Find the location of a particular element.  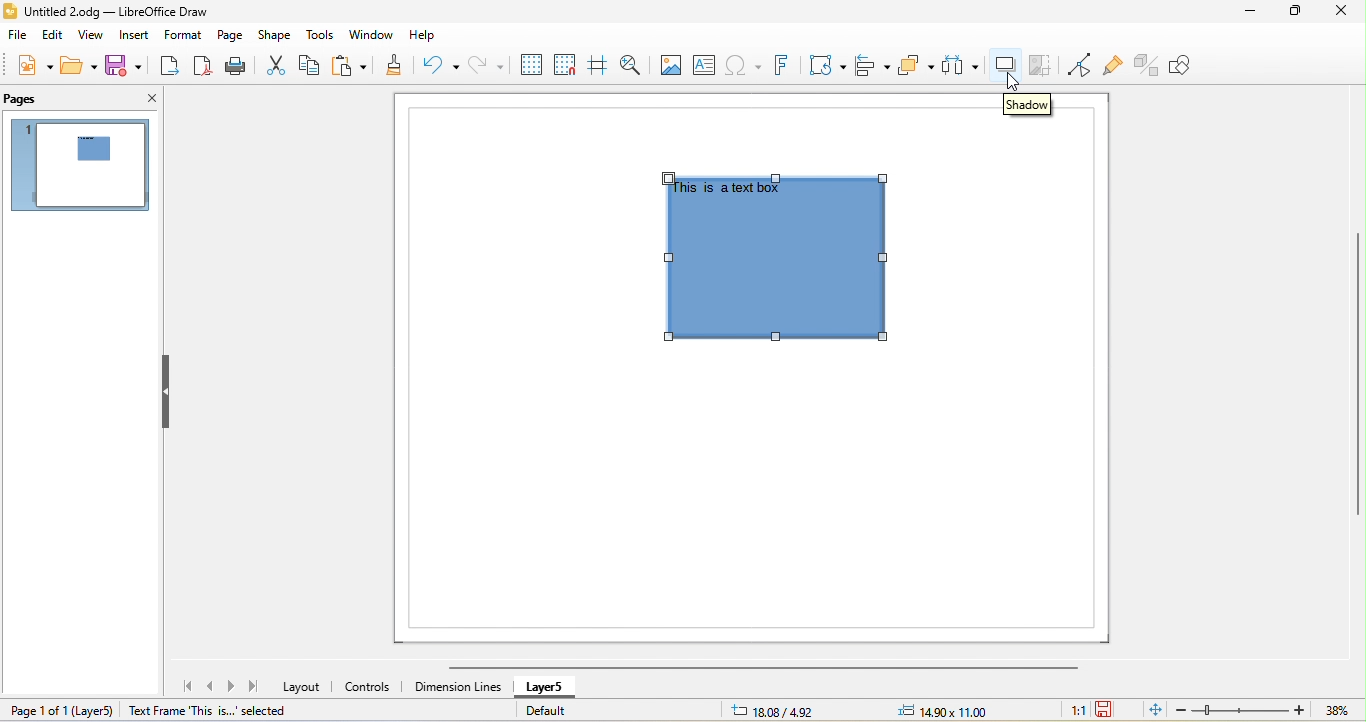

copy is located at coordinates (312, 65).